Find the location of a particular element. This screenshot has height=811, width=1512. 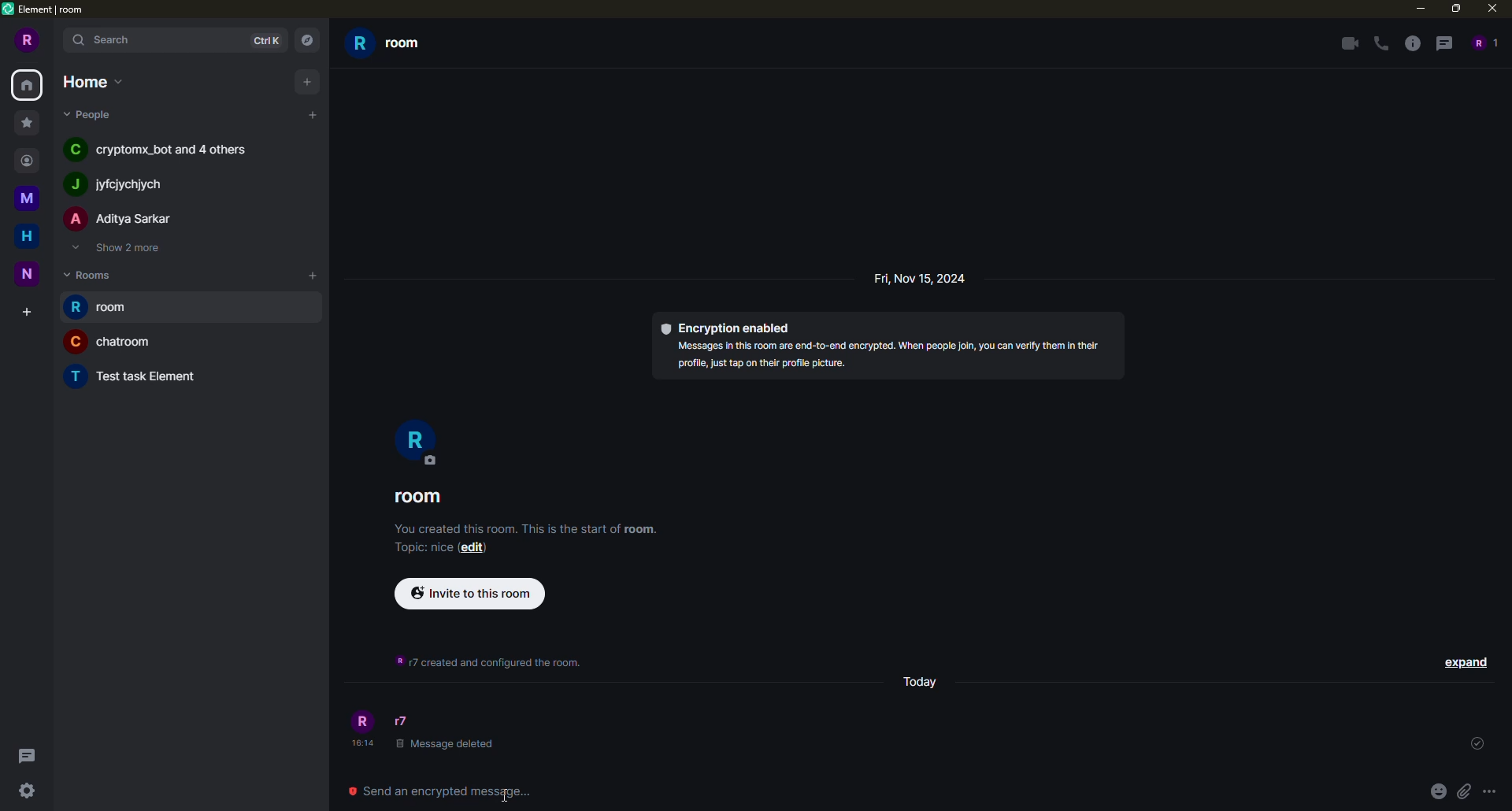

people is located at coordinates (1487, 43).